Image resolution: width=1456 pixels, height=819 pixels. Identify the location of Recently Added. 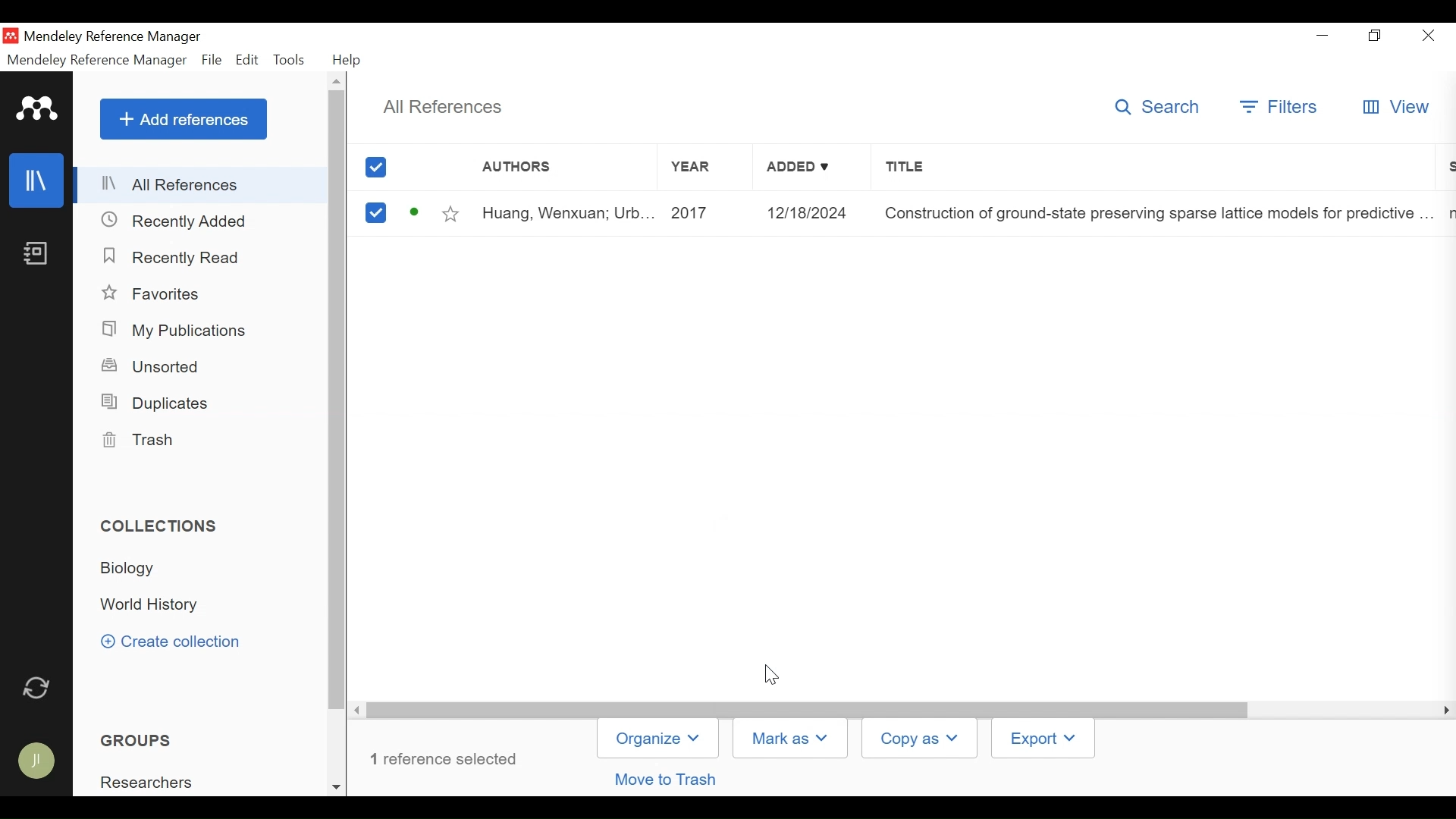
(174, 221).